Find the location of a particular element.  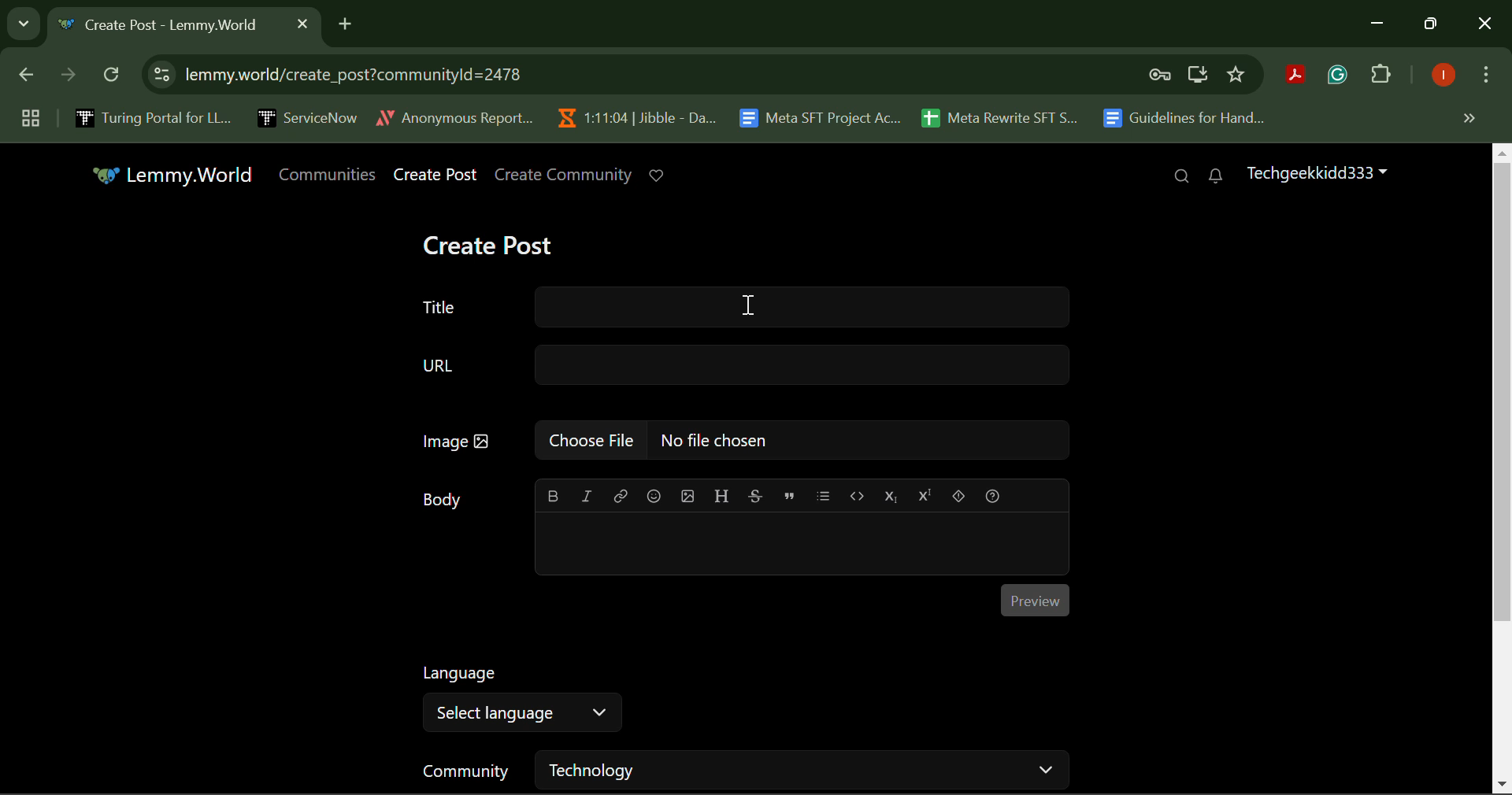

header is located at coordinates (720, 494).